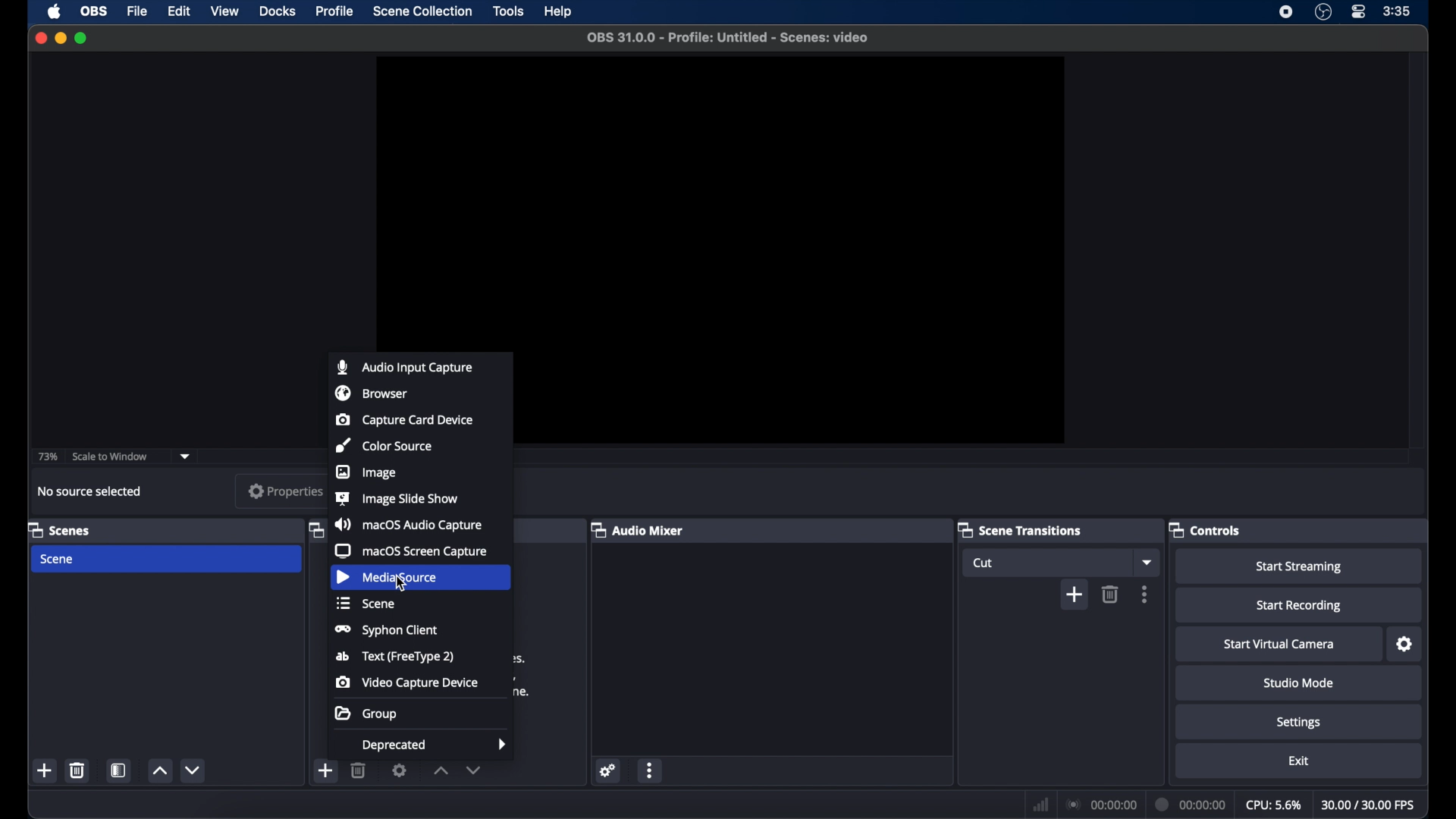 Image resolution: width=1456 pixels, height=819 pixels. What do you see at coordinates (651, 770) in the screenshot?
I see `more options` at bounding box center [651, 770].